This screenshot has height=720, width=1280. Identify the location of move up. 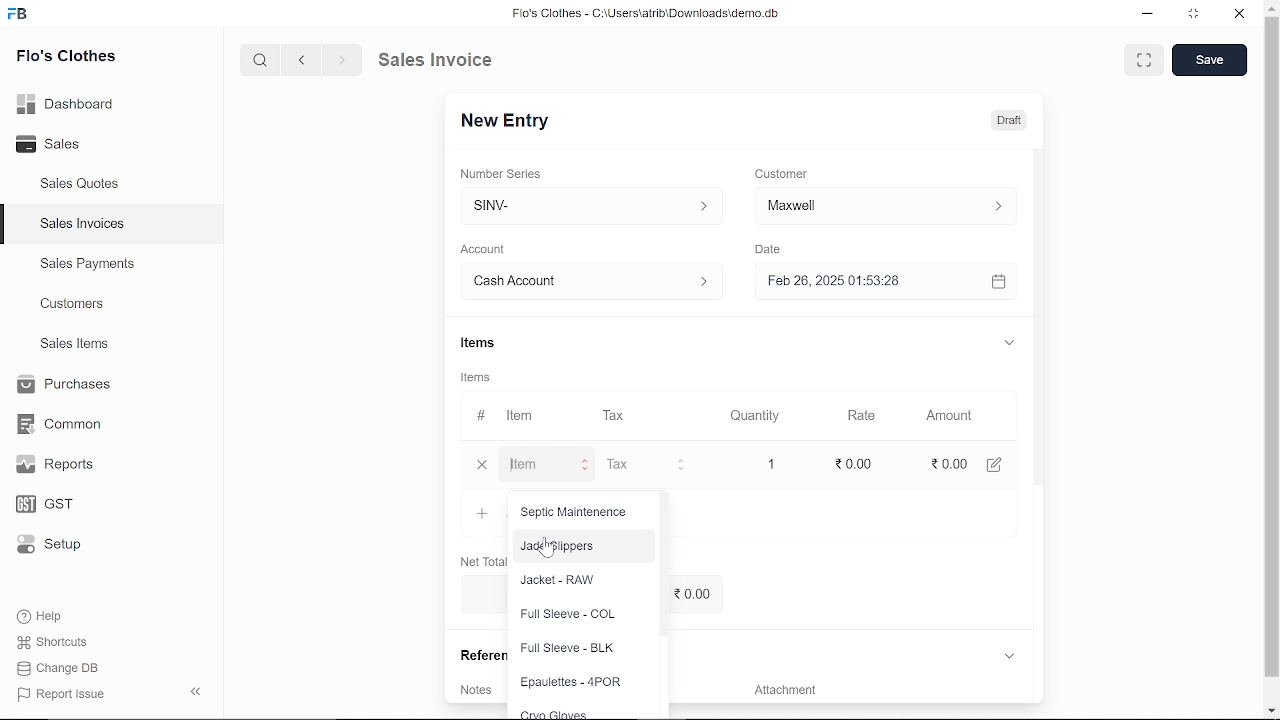
(1272, 8).